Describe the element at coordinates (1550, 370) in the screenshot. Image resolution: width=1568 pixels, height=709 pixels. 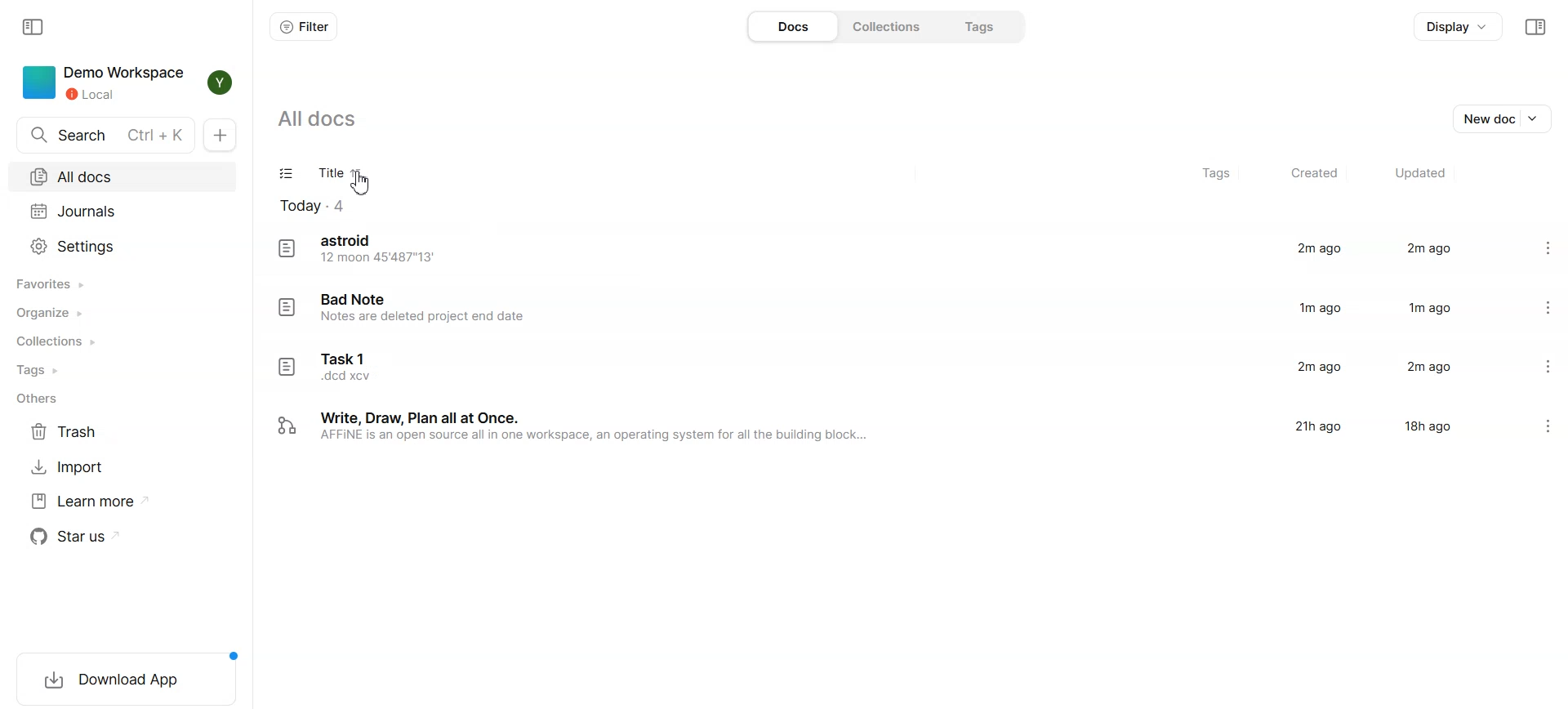
I see `Settings` at that location.